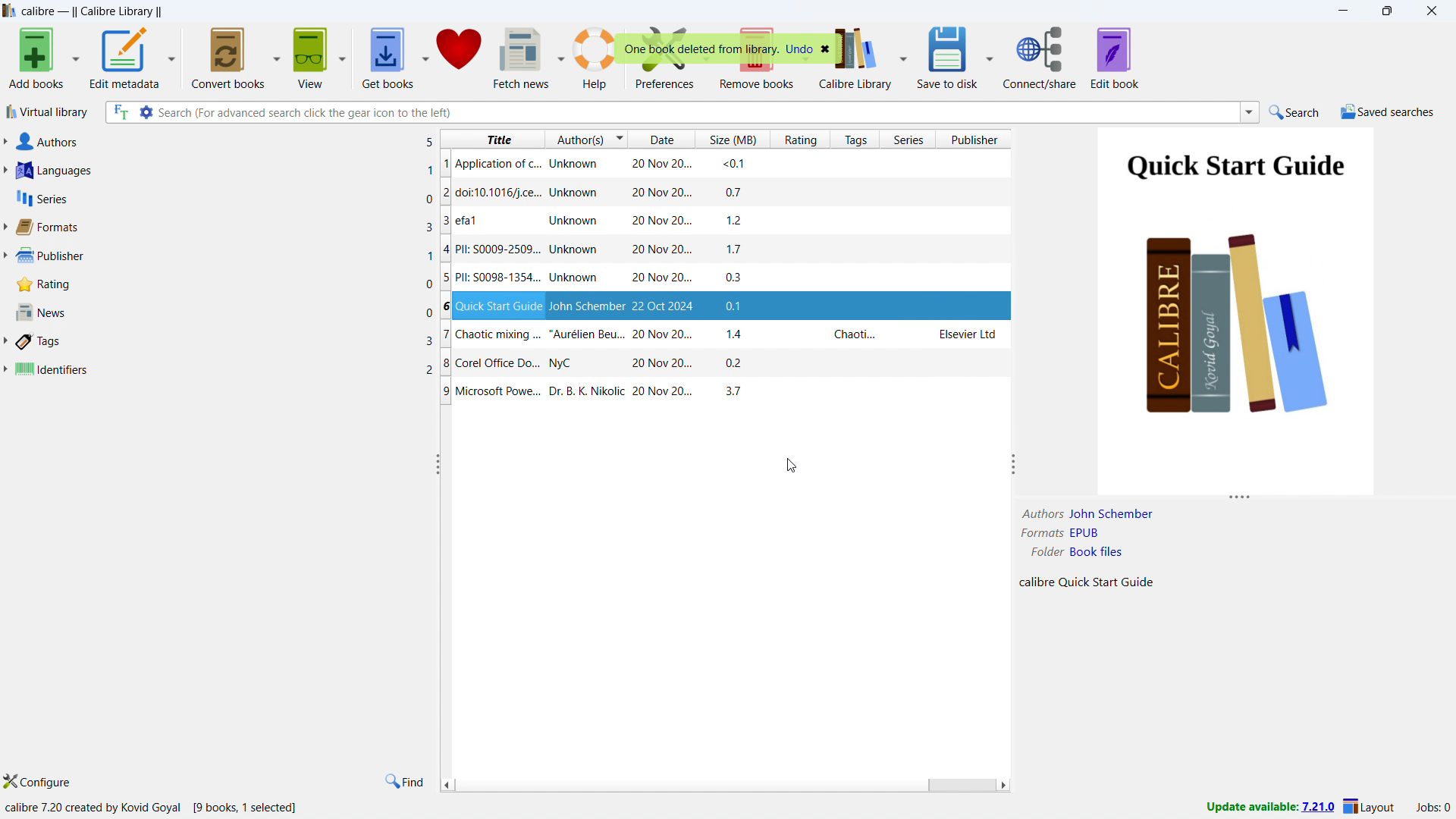  I want to click on scroll left, so click(446, 784).